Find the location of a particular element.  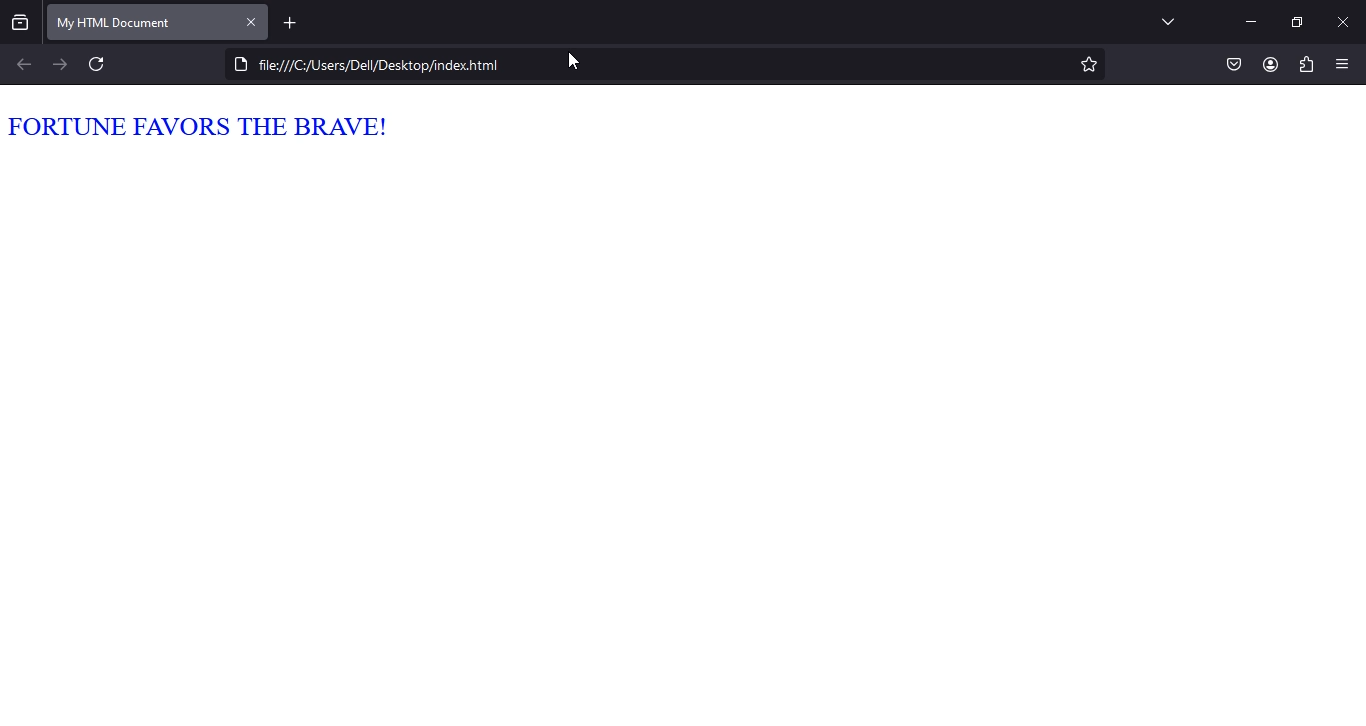

backward is located at coordinates (21, 64).